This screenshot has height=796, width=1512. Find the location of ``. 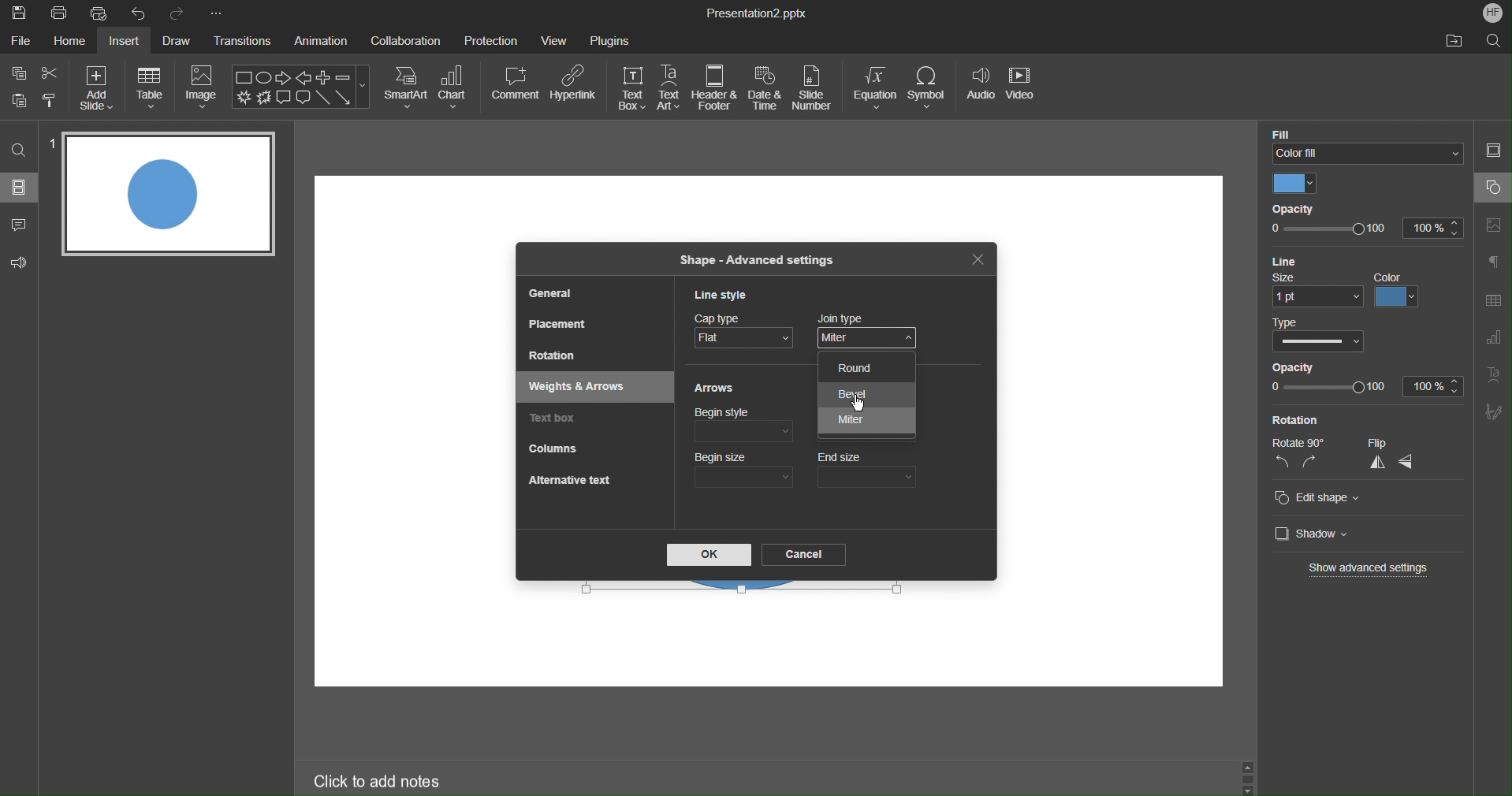

 is located at coordinates (20, 99).